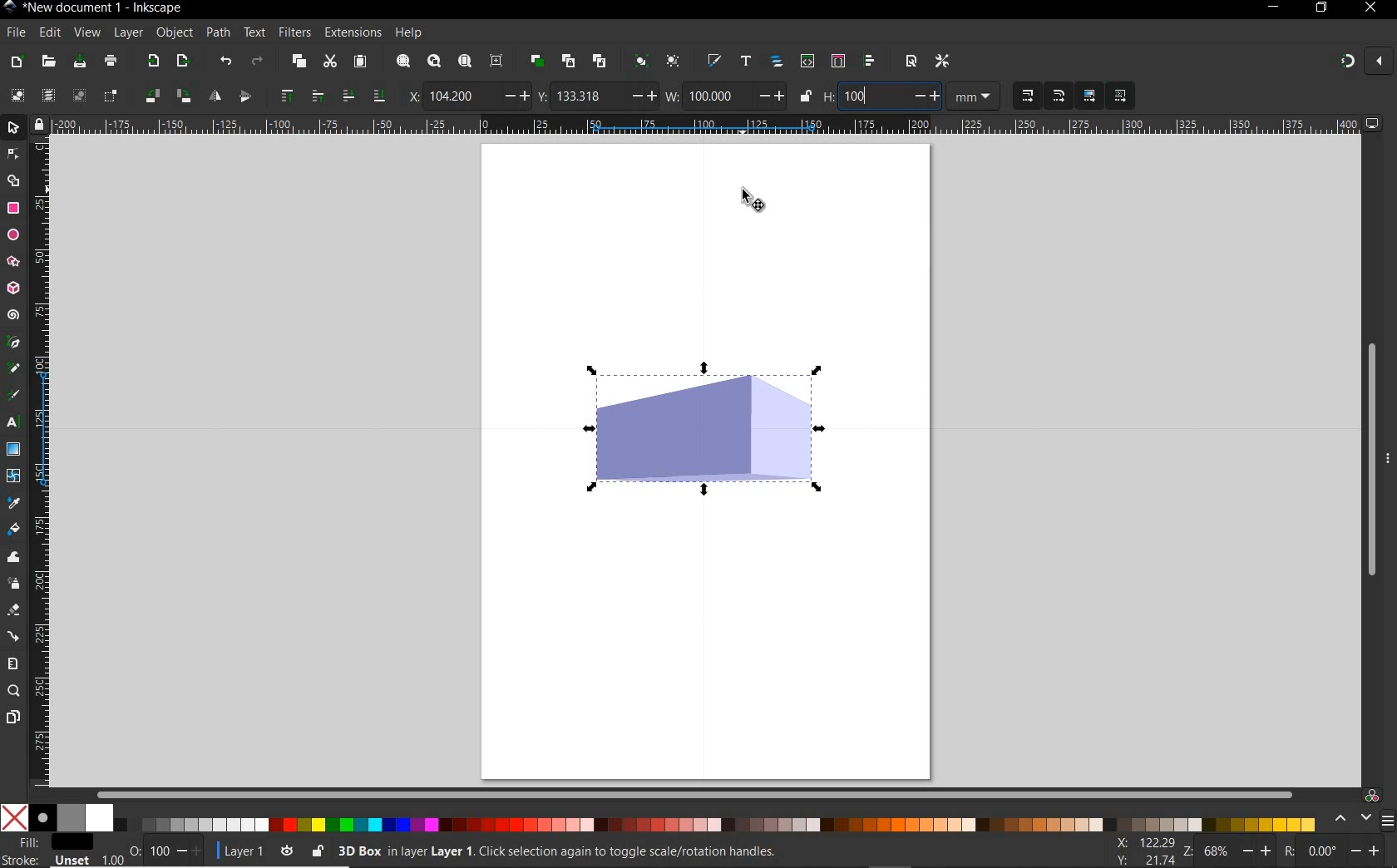 This screenshot has height=868, width=1397. What do you see at coordinates (1389, 457) in the screenshot?
I see `more options` at bounding box center [1389, 457].